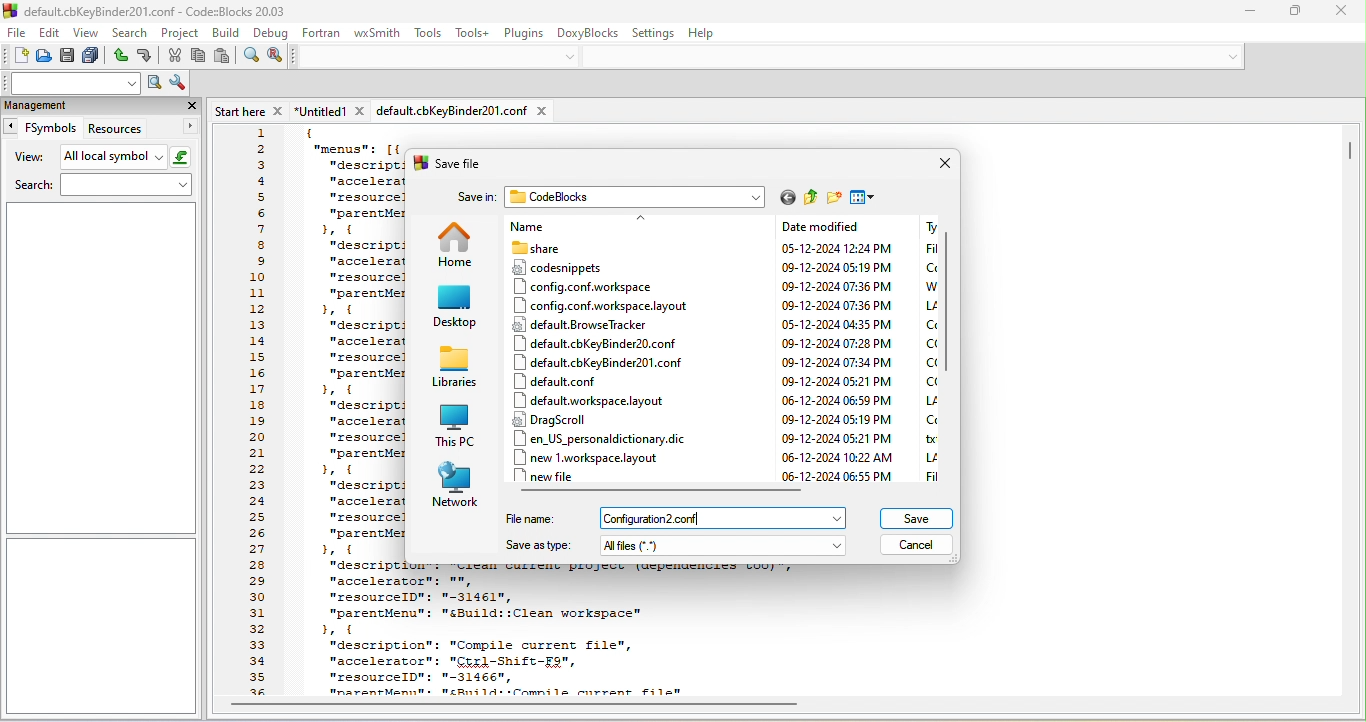 The height and width of the screenshot is (722, 1366). I want to click on line numbering, so click(257, 410).